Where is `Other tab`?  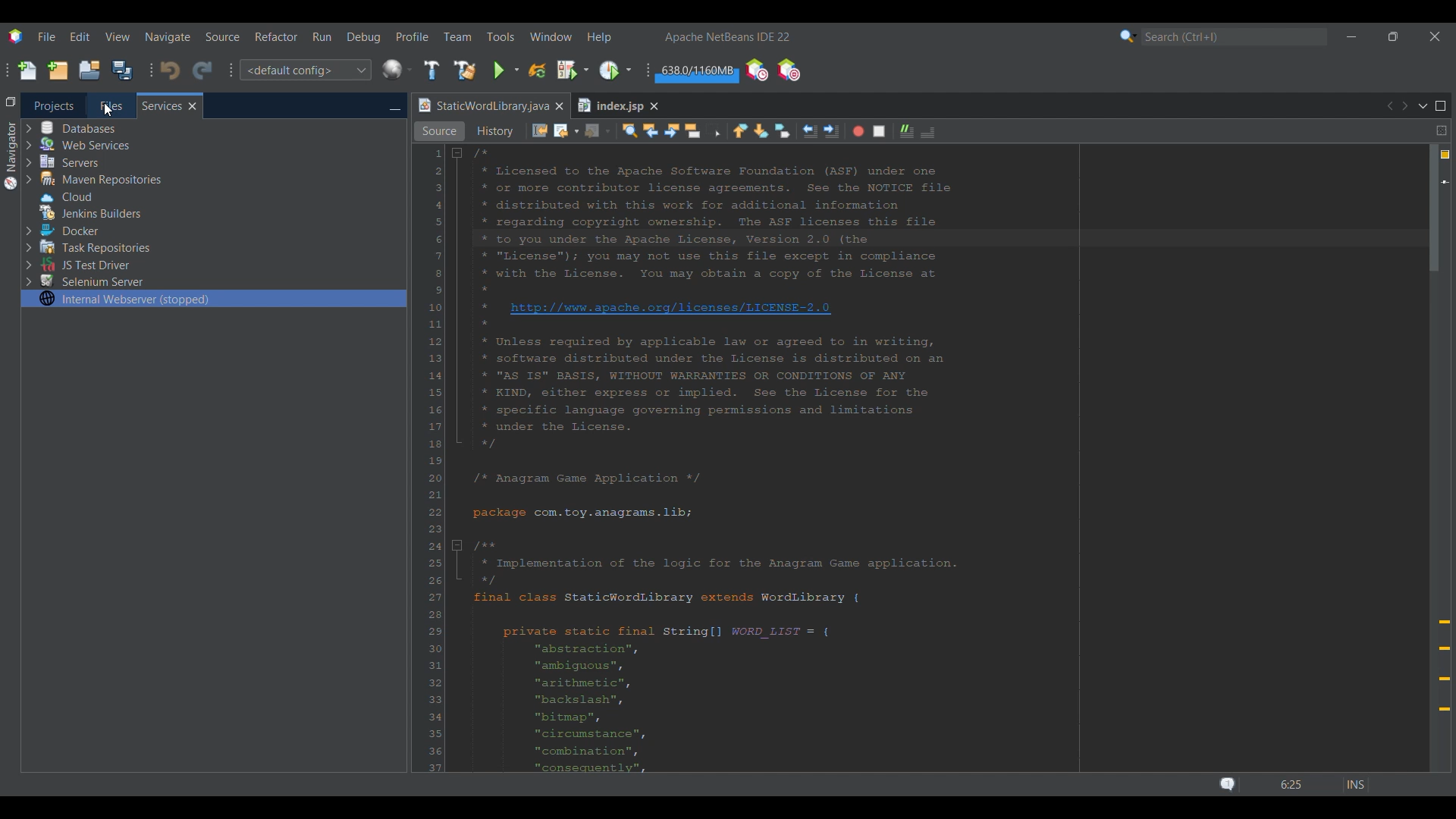 Other tab is located at coordinates (617, 105).